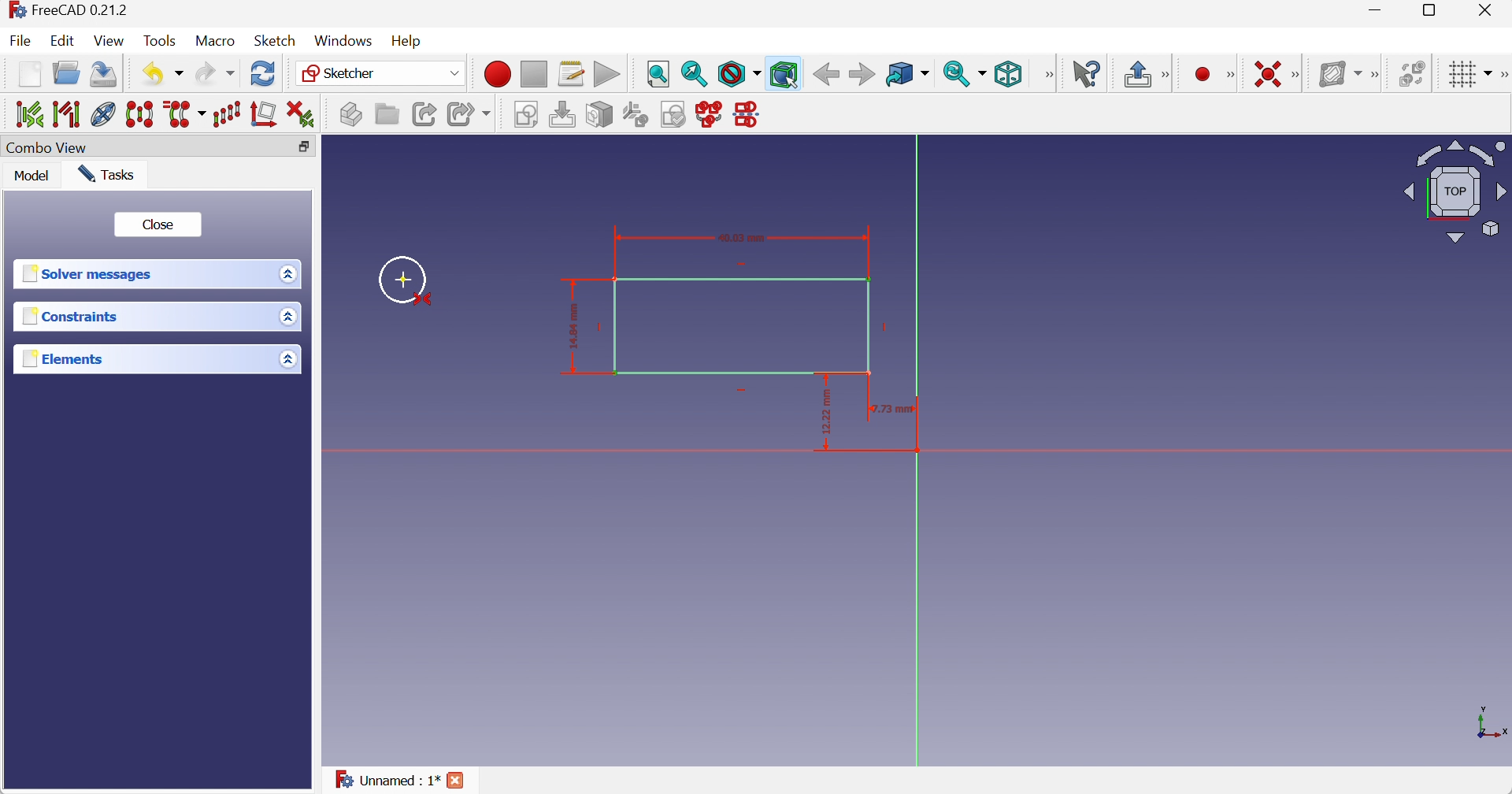  What do you see at coordinates (161, 41) in the screenshot?
I see `Tools` at bounding box center [161, 41].